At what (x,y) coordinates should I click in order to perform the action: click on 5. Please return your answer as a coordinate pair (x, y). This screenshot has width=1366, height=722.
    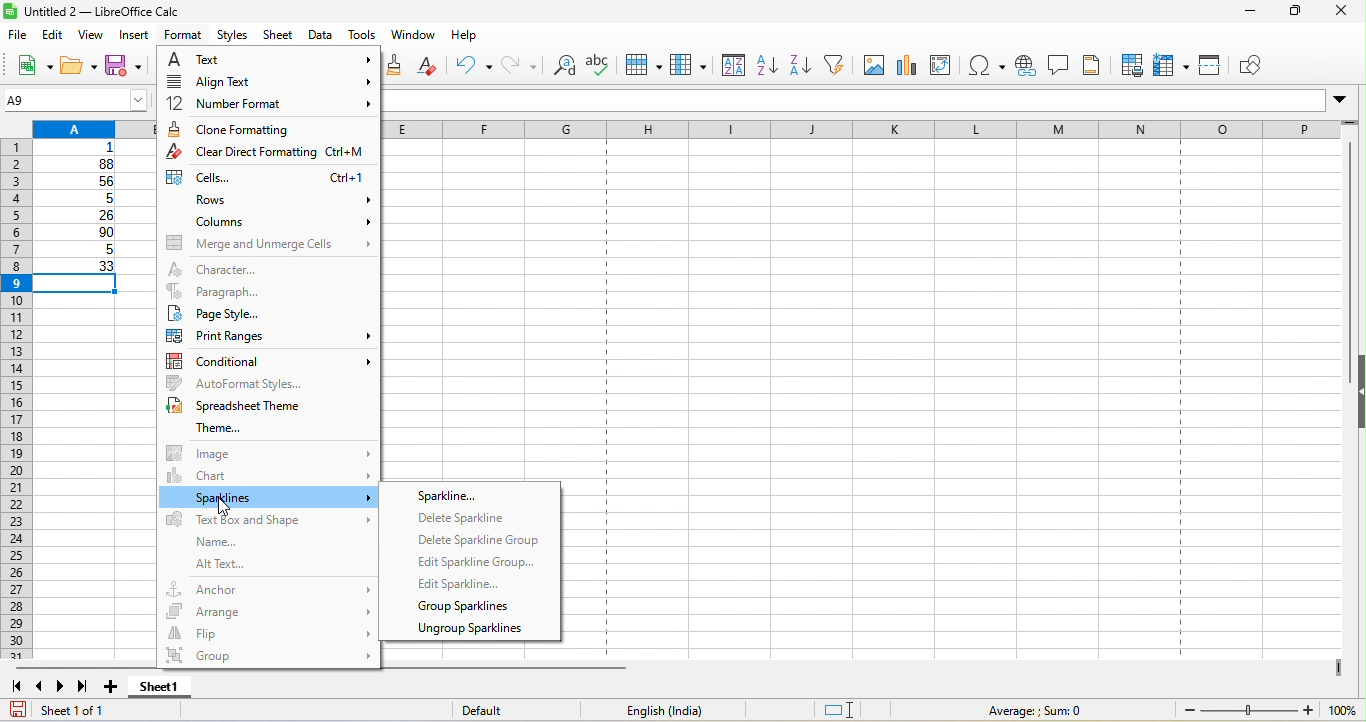
    Looking at the image, I should click on (76, 252).